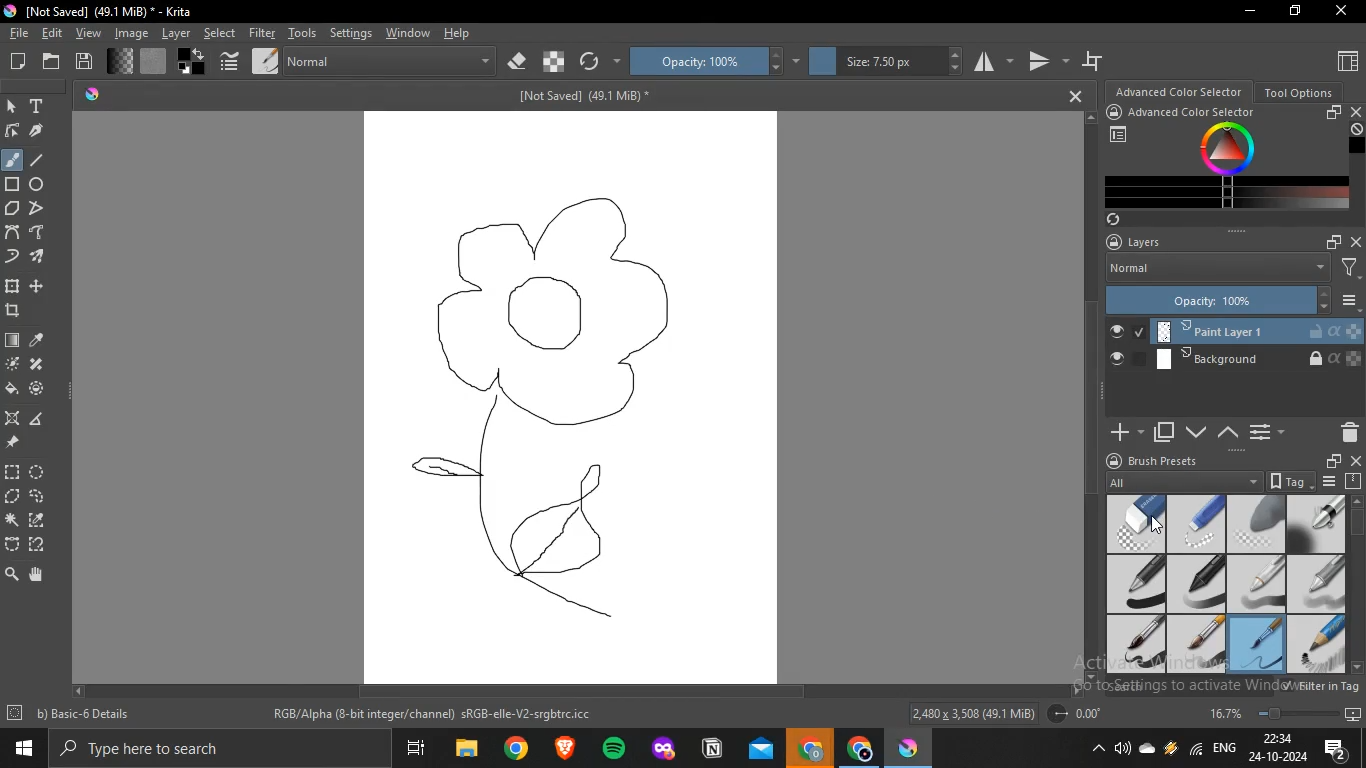  I want to click on Application, so click(912, 747).